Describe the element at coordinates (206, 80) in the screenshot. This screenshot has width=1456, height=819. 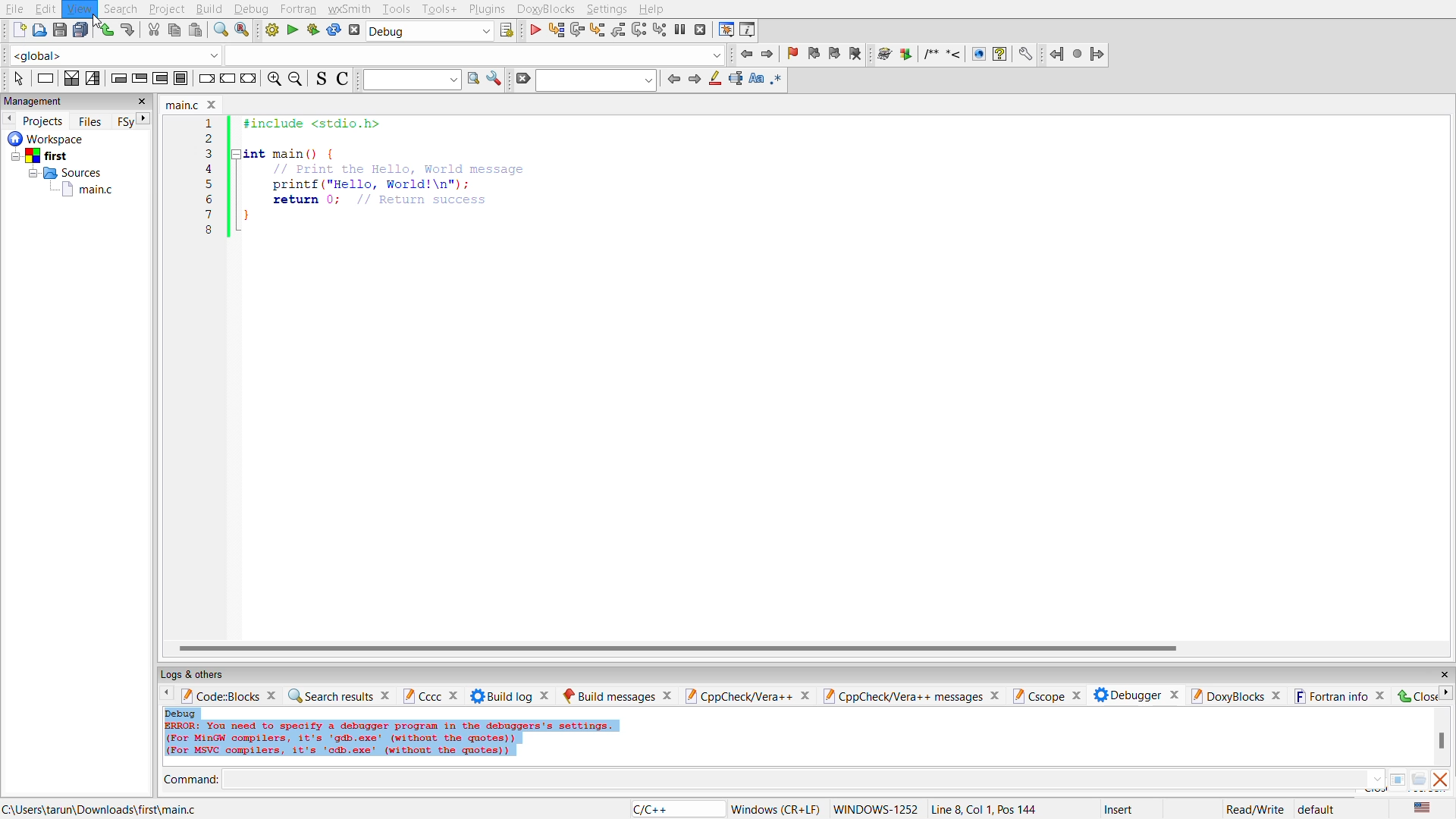
I see `break instruction` at that location.